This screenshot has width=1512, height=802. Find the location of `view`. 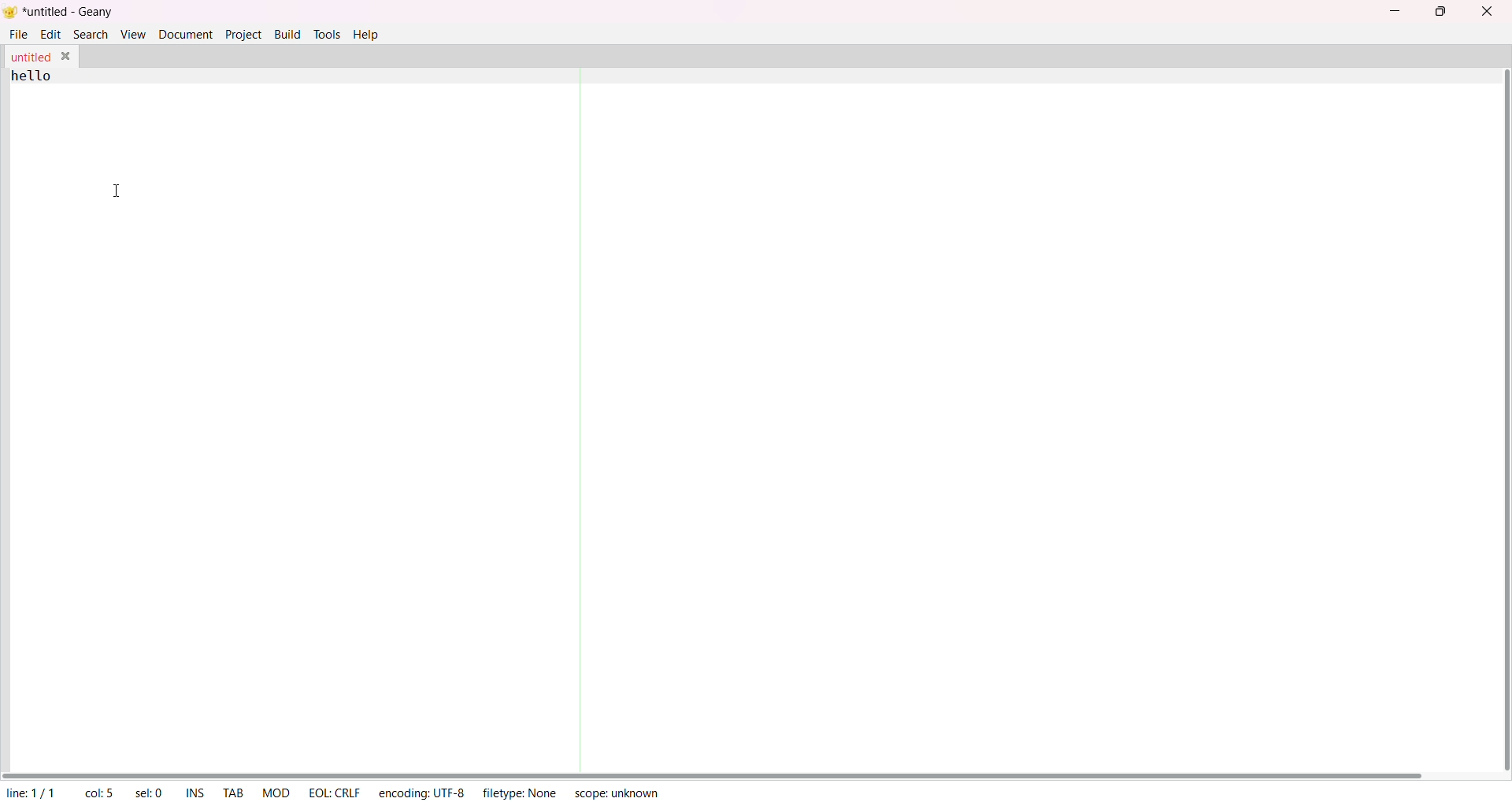

view is located at coordinates (133, 35).